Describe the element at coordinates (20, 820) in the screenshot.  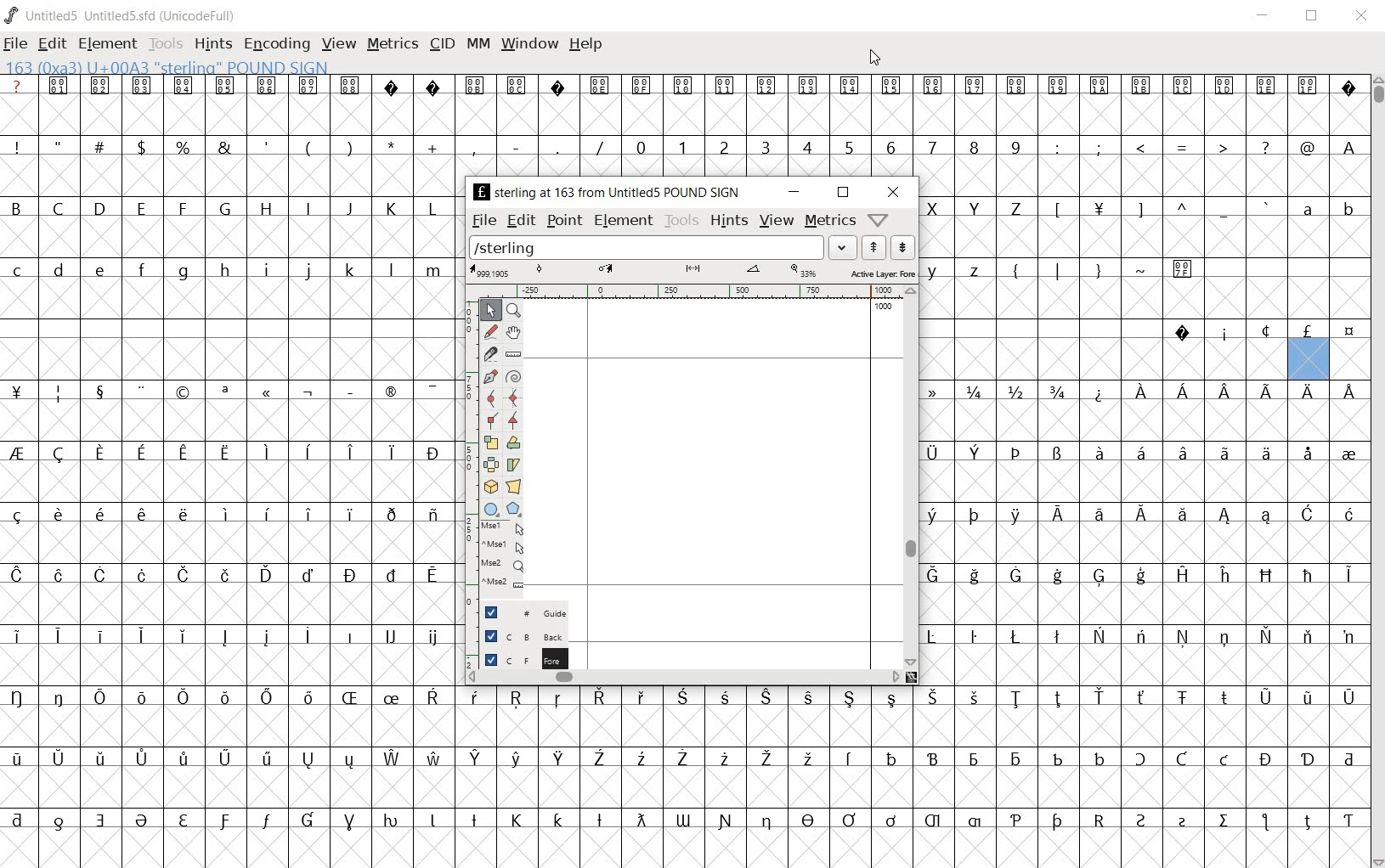
I see `Symbol` at that location.